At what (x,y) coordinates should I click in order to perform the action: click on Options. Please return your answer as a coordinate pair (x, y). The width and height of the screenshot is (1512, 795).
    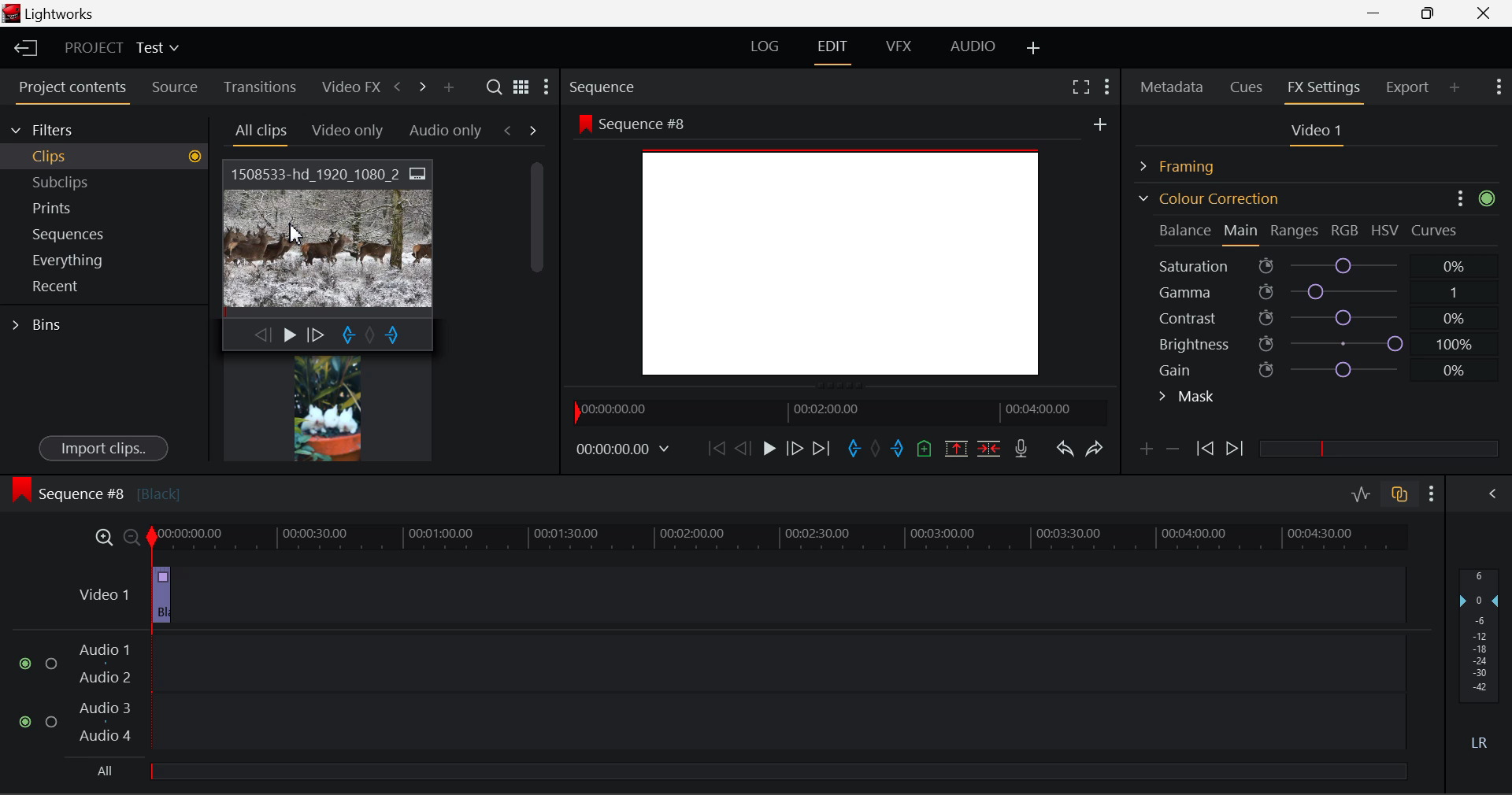
    Looking at the image, I should click on (1458, 197).